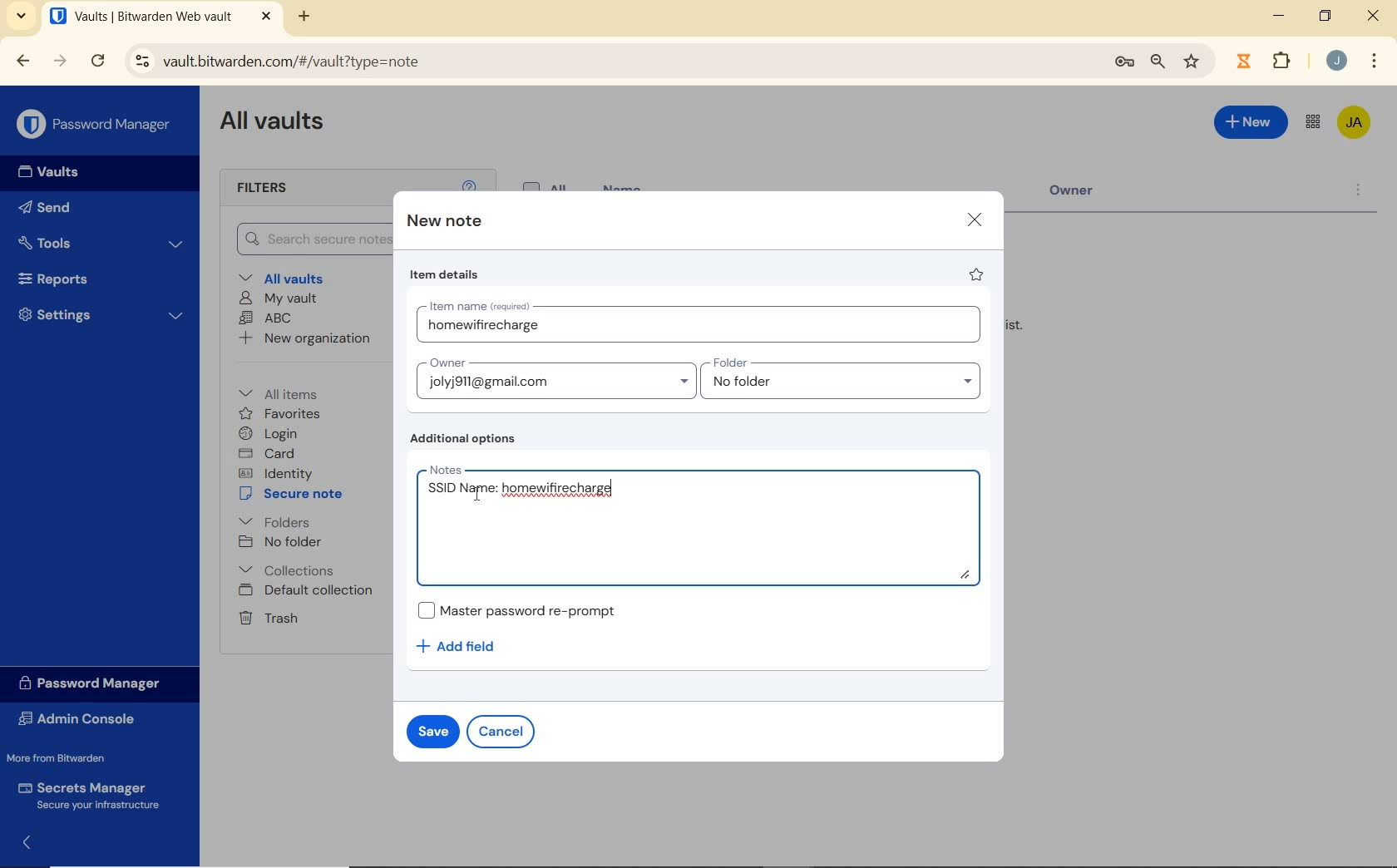  What do you see at coordinates (308, 591) in the screenshot?
I see `Default collection` at bounding box center [308, 591].